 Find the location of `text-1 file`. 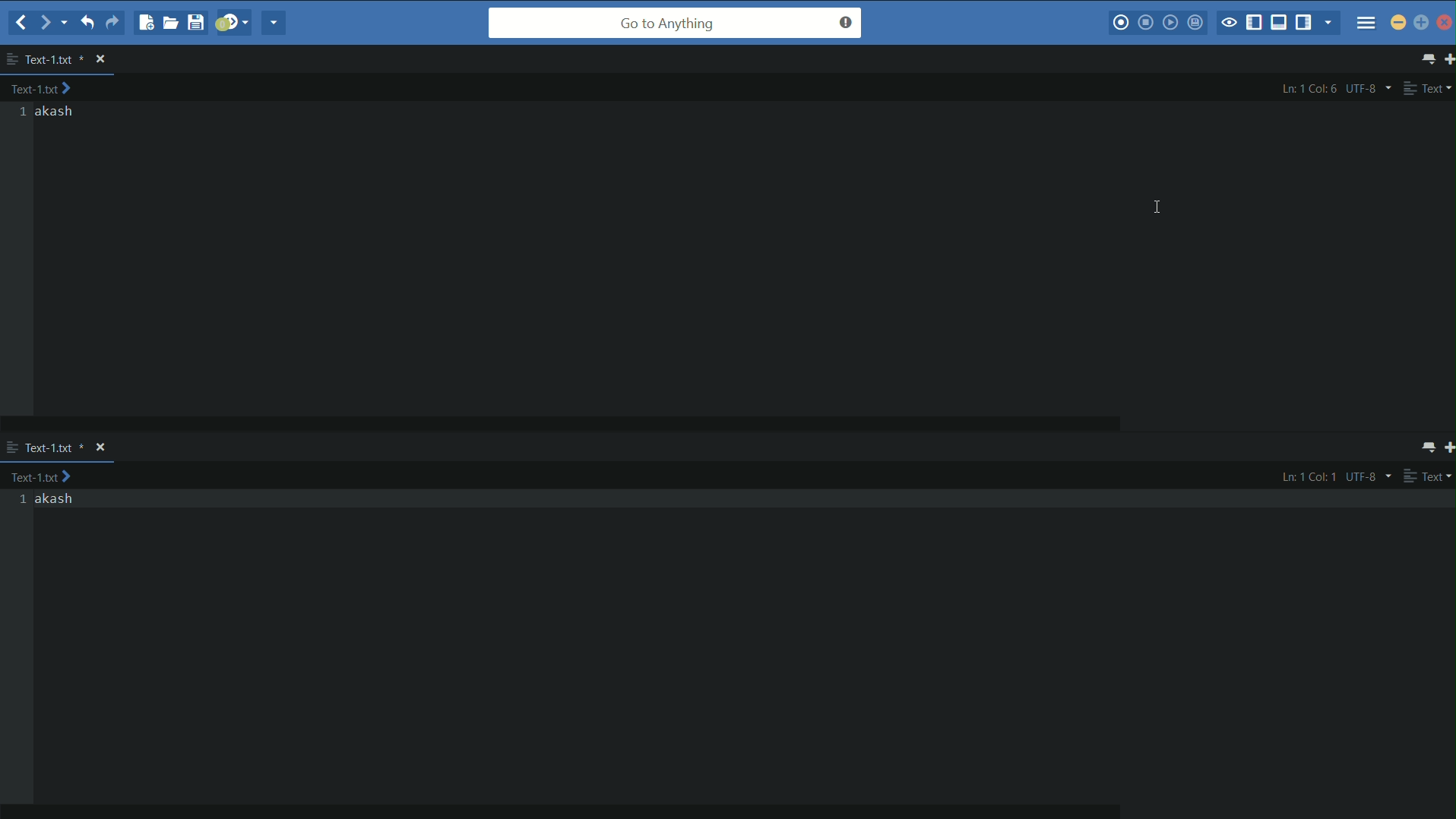

text-1 file is located at coordinates (42, 88).